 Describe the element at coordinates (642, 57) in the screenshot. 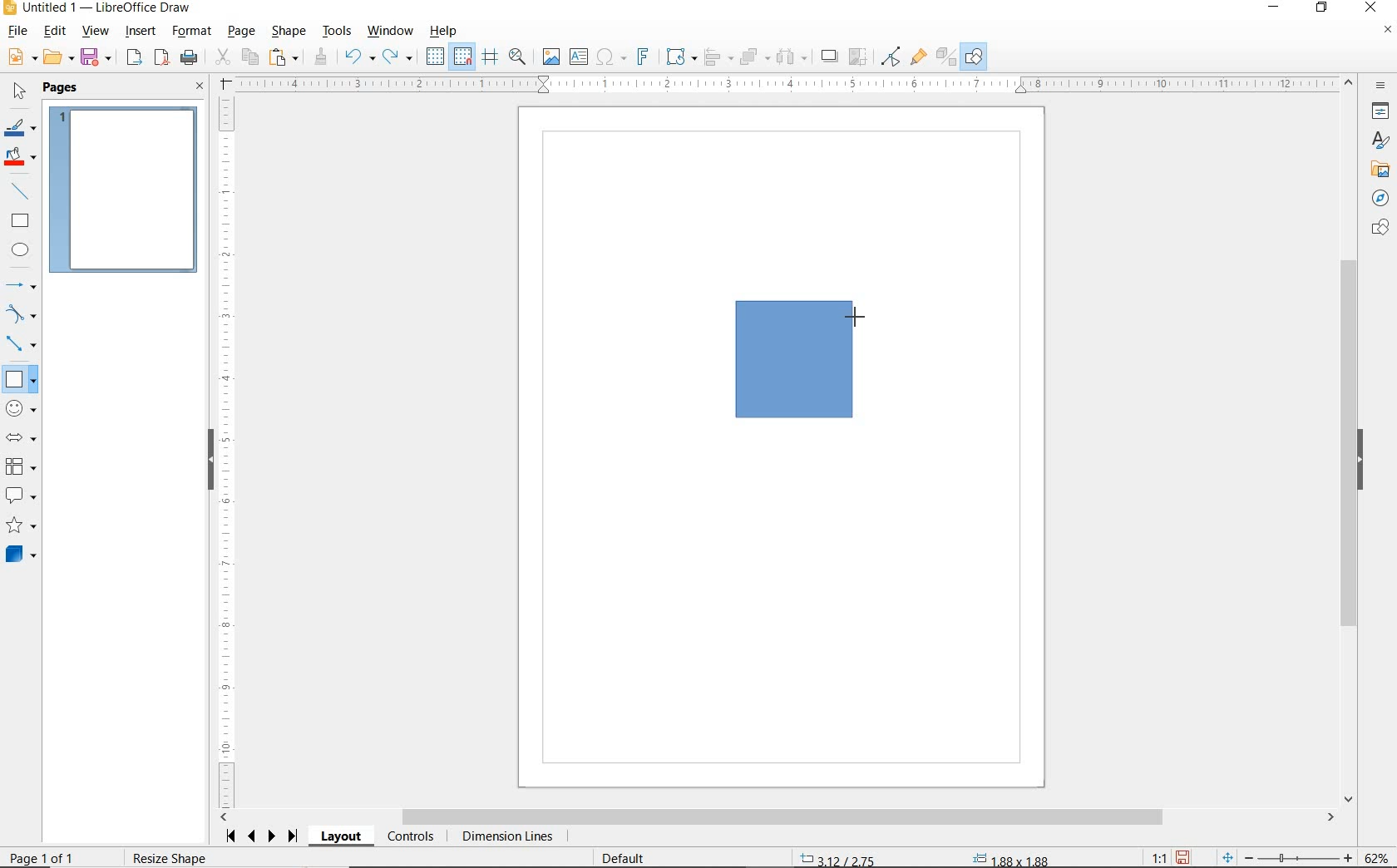

I see `INSERT FRONTWORK TEXT` at that location.